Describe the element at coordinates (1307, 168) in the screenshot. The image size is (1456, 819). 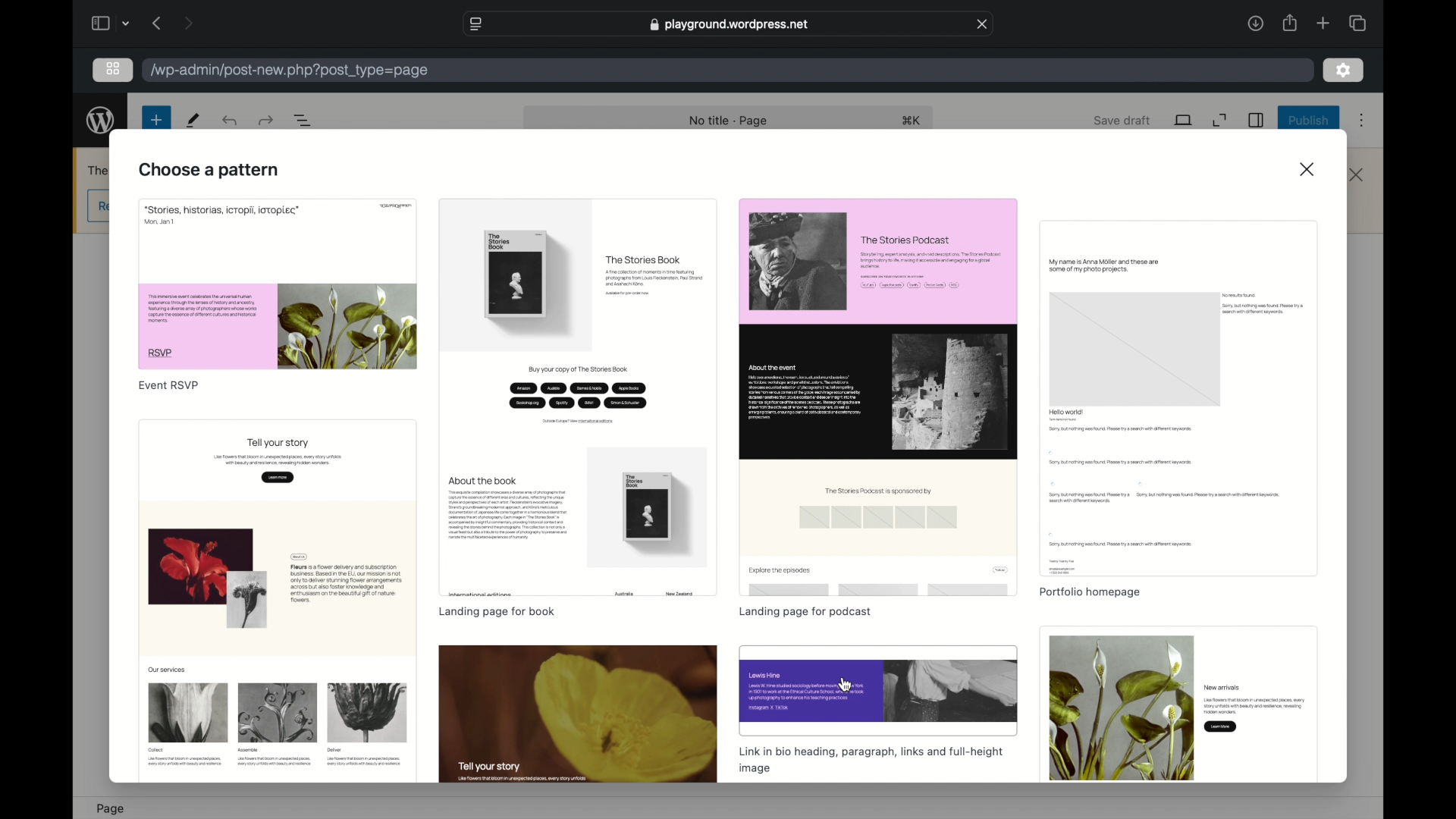
I see `close` at that location.